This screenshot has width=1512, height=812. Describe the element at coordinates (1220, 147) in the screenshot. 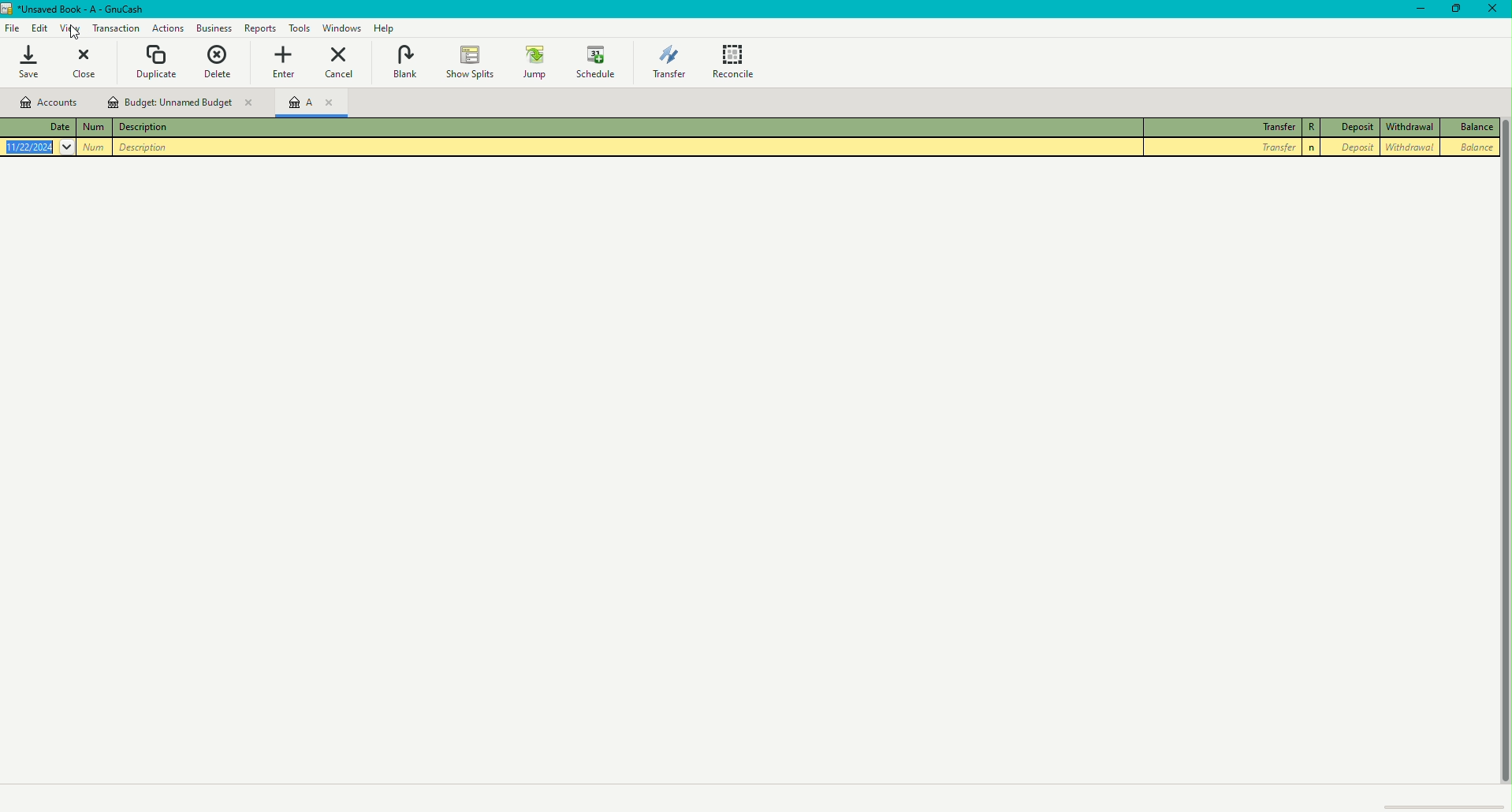

I see `Transfer` at that location.